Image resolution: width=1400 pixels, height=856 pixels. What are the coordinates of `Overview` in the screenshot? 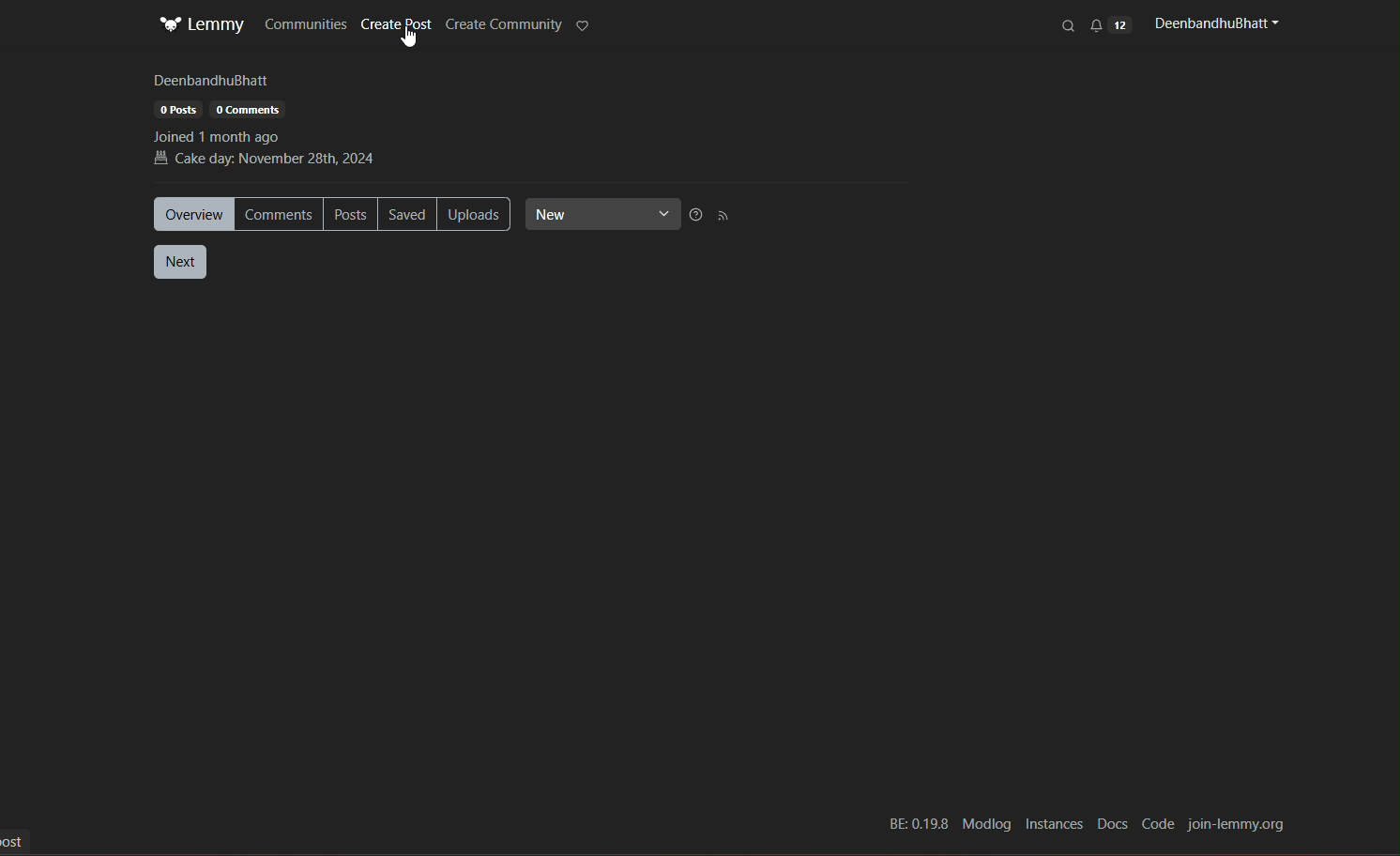 It's located at (194, 214).